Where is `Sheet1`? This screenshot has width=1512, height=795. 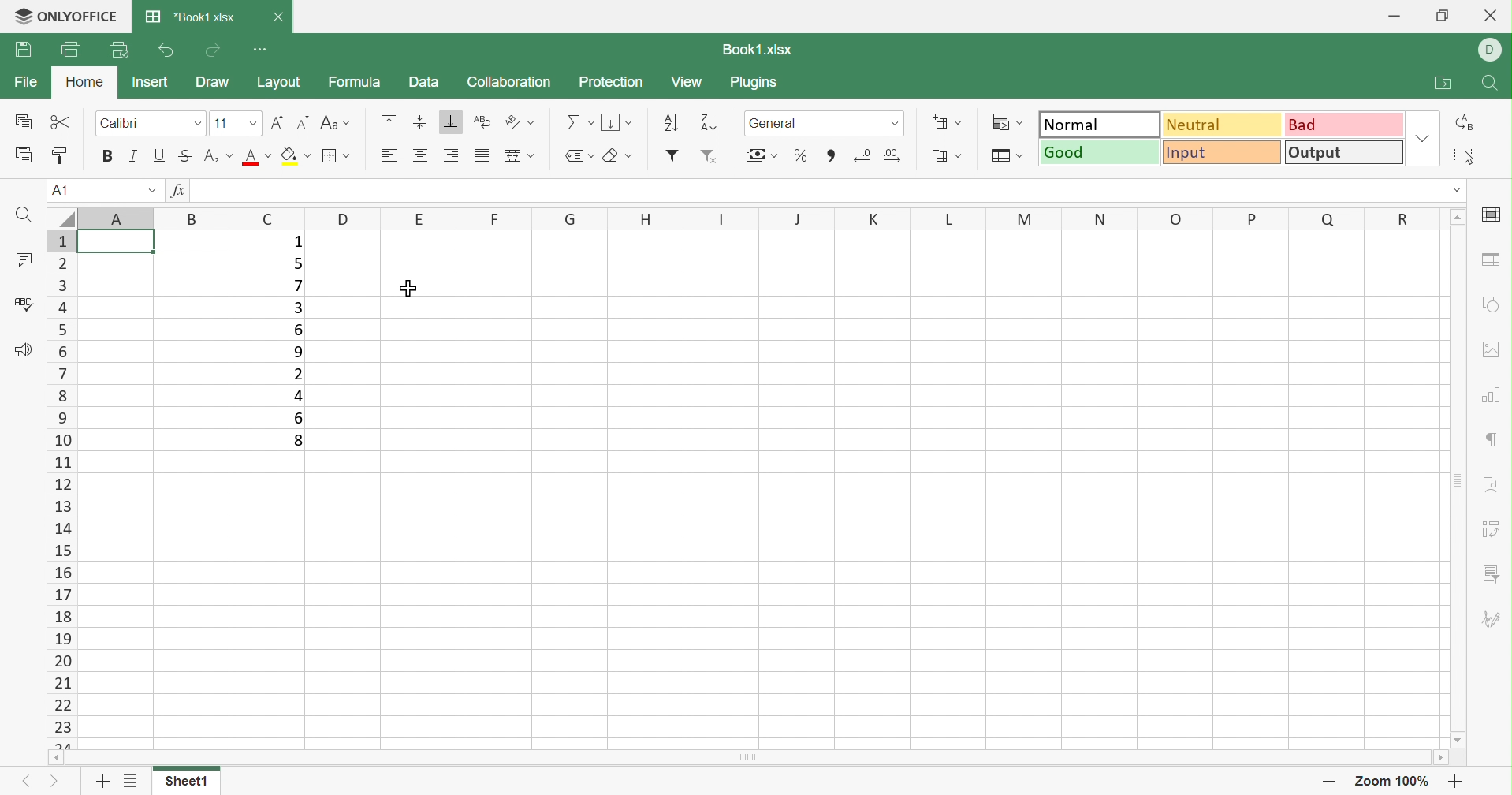 Sheet1 is located at coordinates (188, 782).